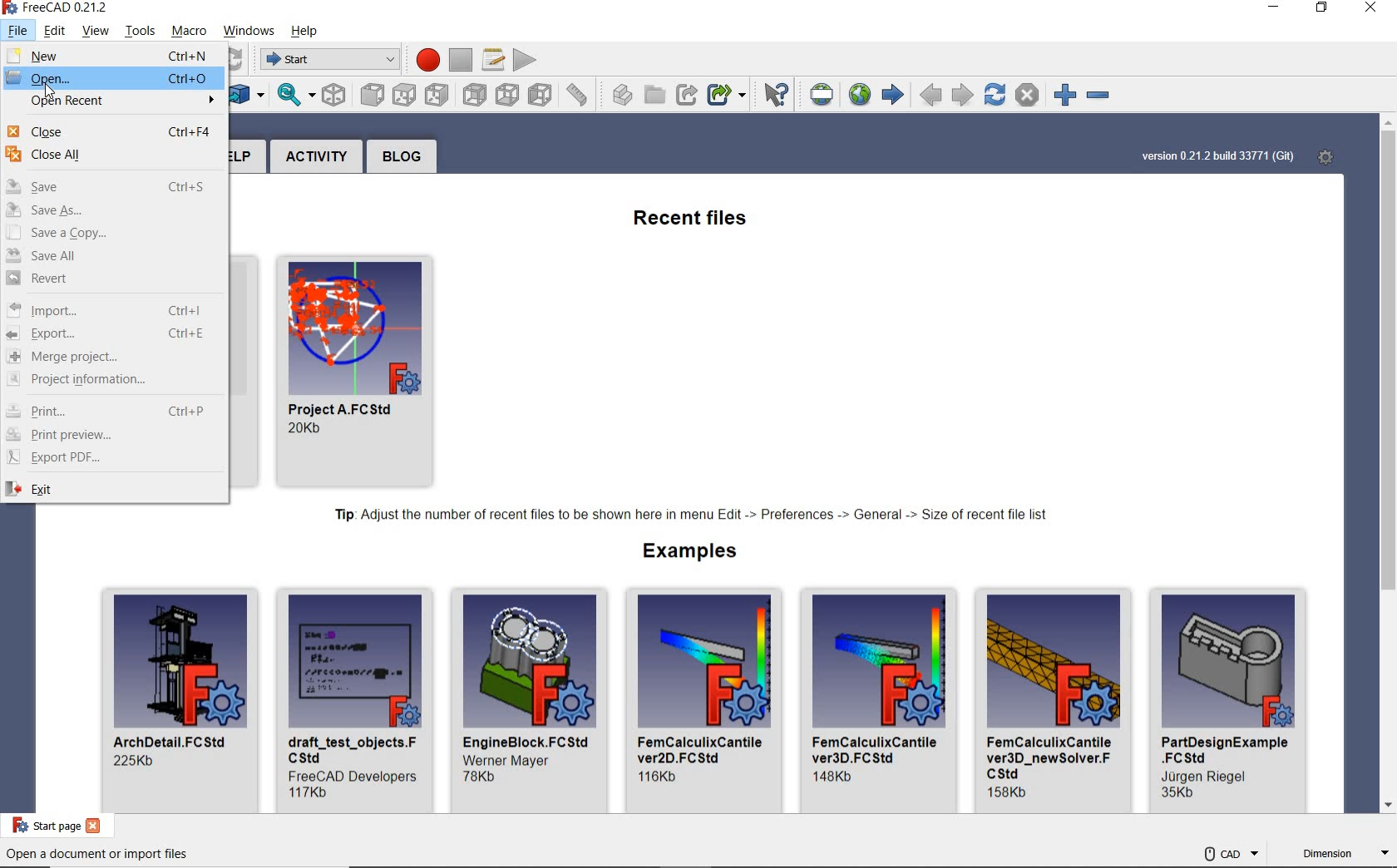 The width and height of the screenshot is (1397, 868). Describe the element at coordinates (686, 96) in the screenshot. I see `MAKE LINK` at that location.